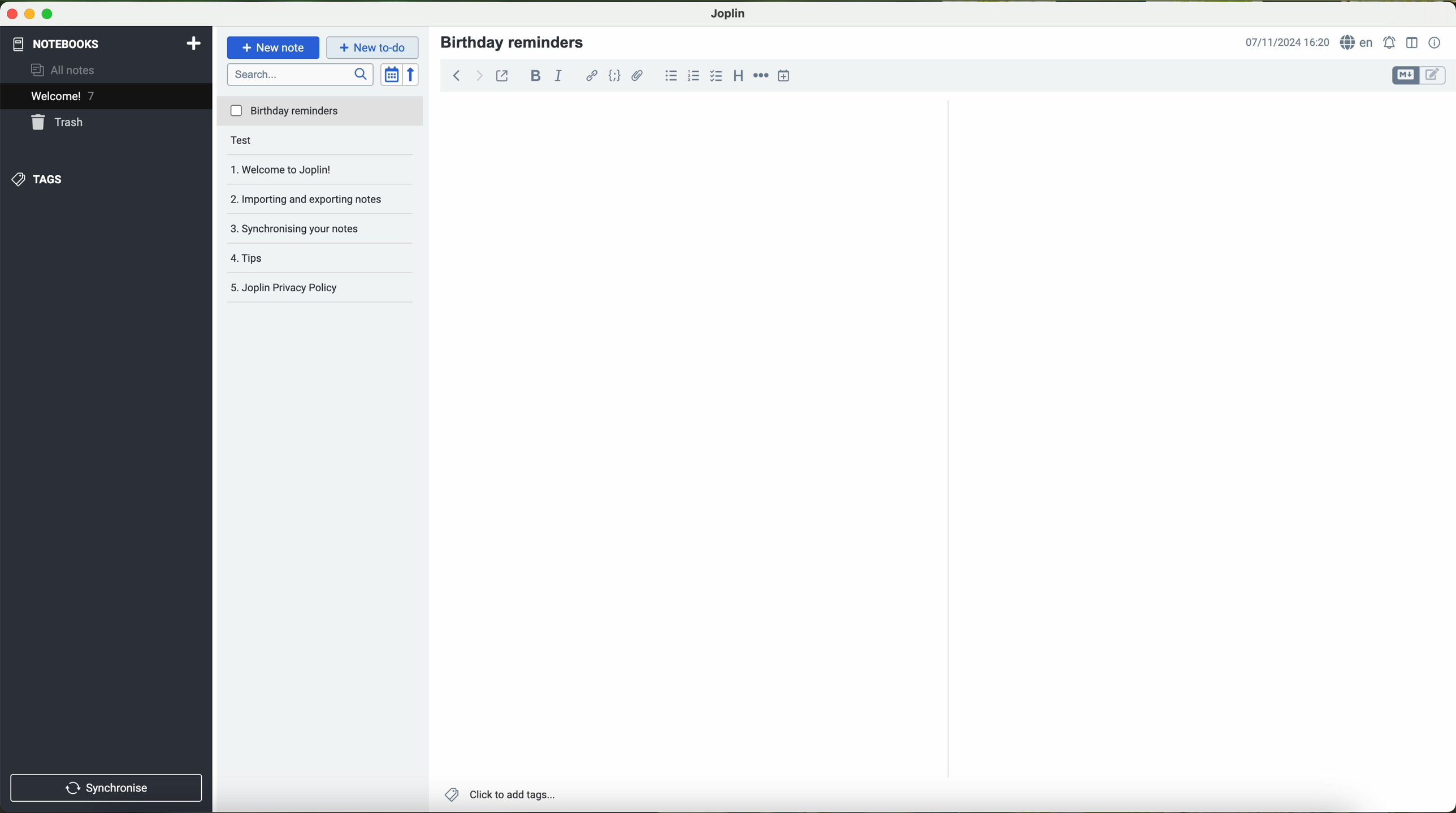 This screenshot has width=1456, height=813. What do you see at coordinates (728, 15) in the screenshot?
I see `Joplin` at bounding box center [728, 15].